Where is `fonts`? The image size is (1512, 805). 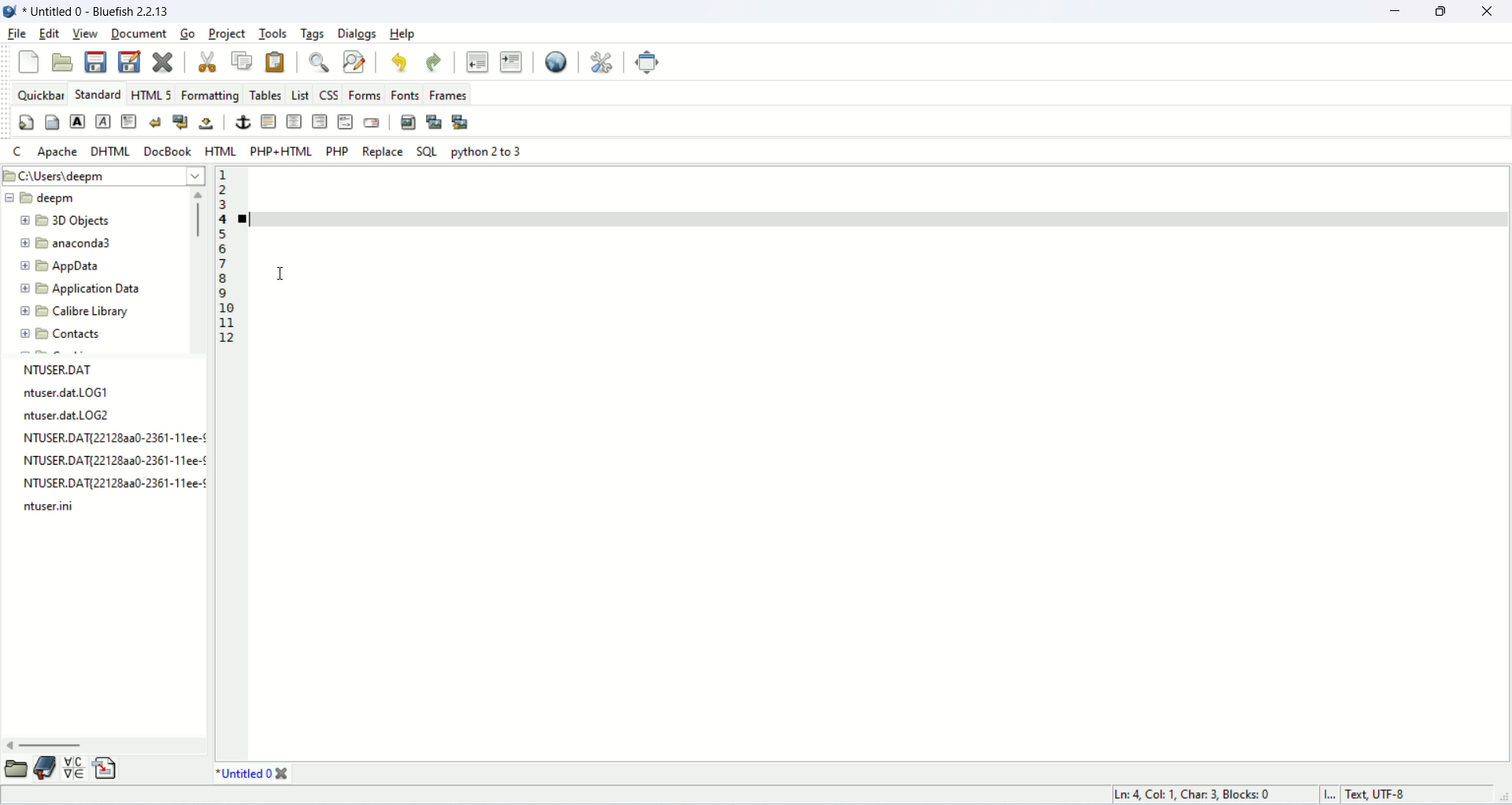 fonts is located at coordinates (403, 95).